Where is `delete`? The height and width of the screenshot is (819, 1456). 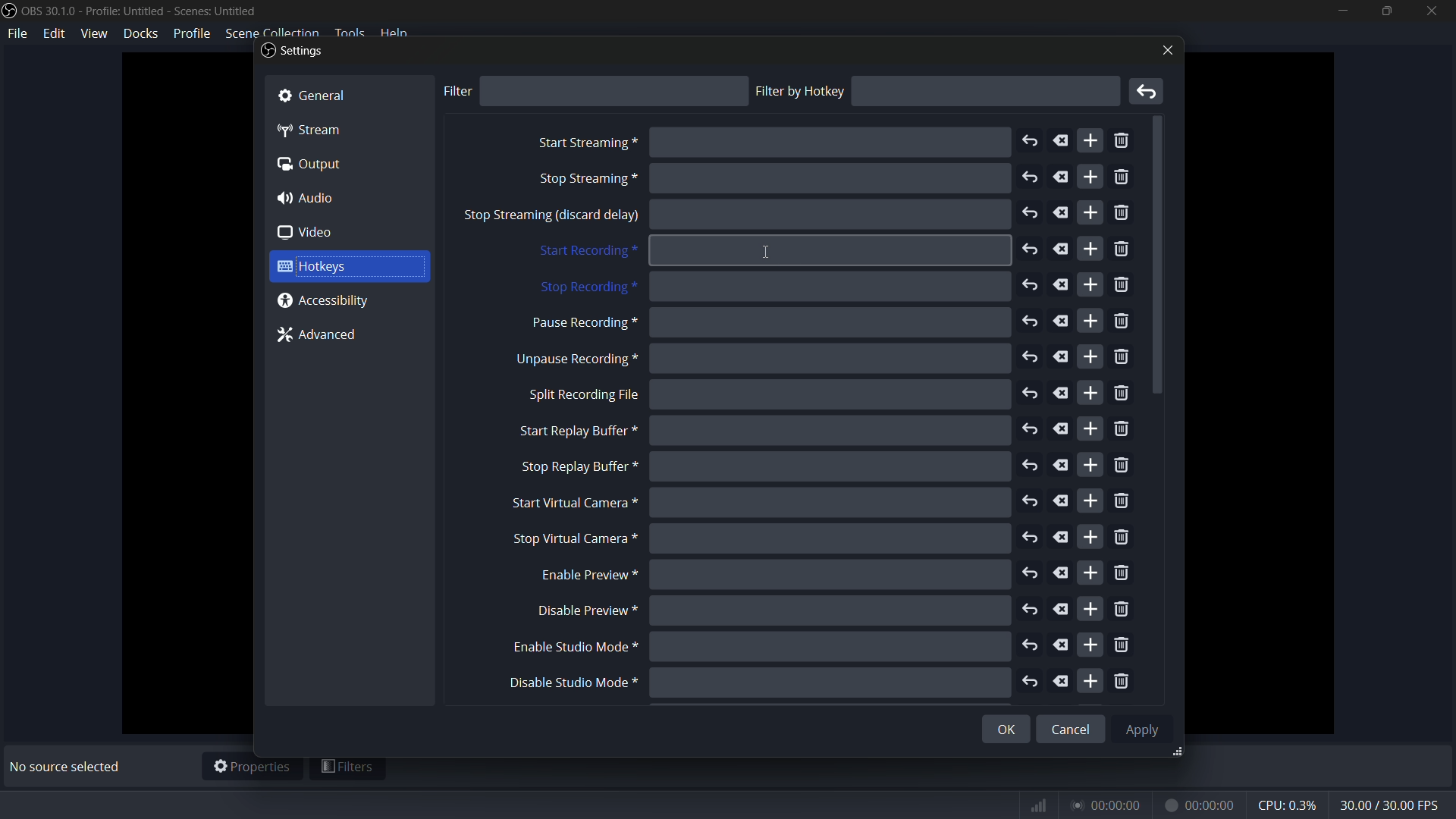
delete is located at coordinates (1062, 215).